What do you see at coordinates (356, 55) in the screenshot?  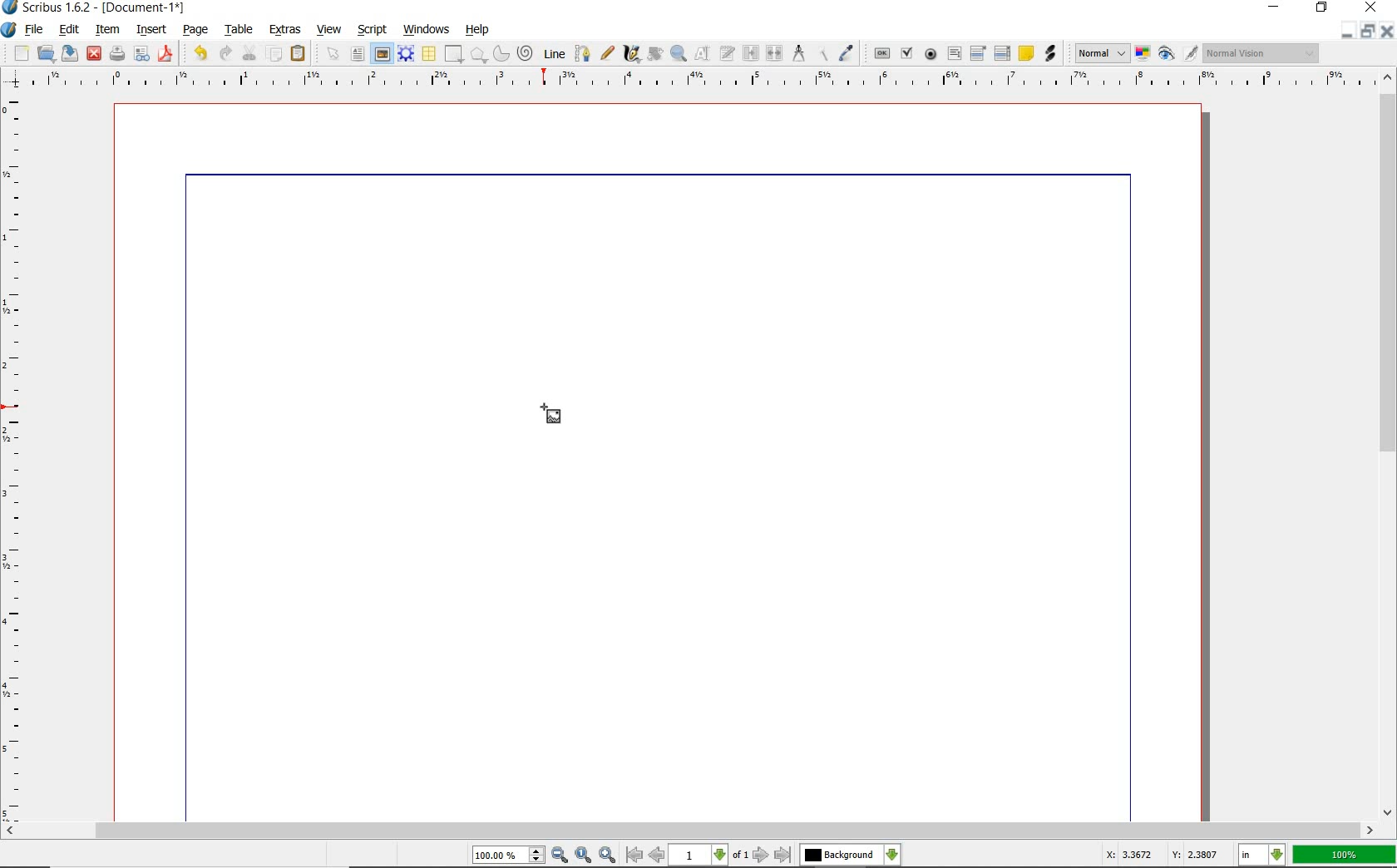 I see `text frame` at bounding box center [356, 55].